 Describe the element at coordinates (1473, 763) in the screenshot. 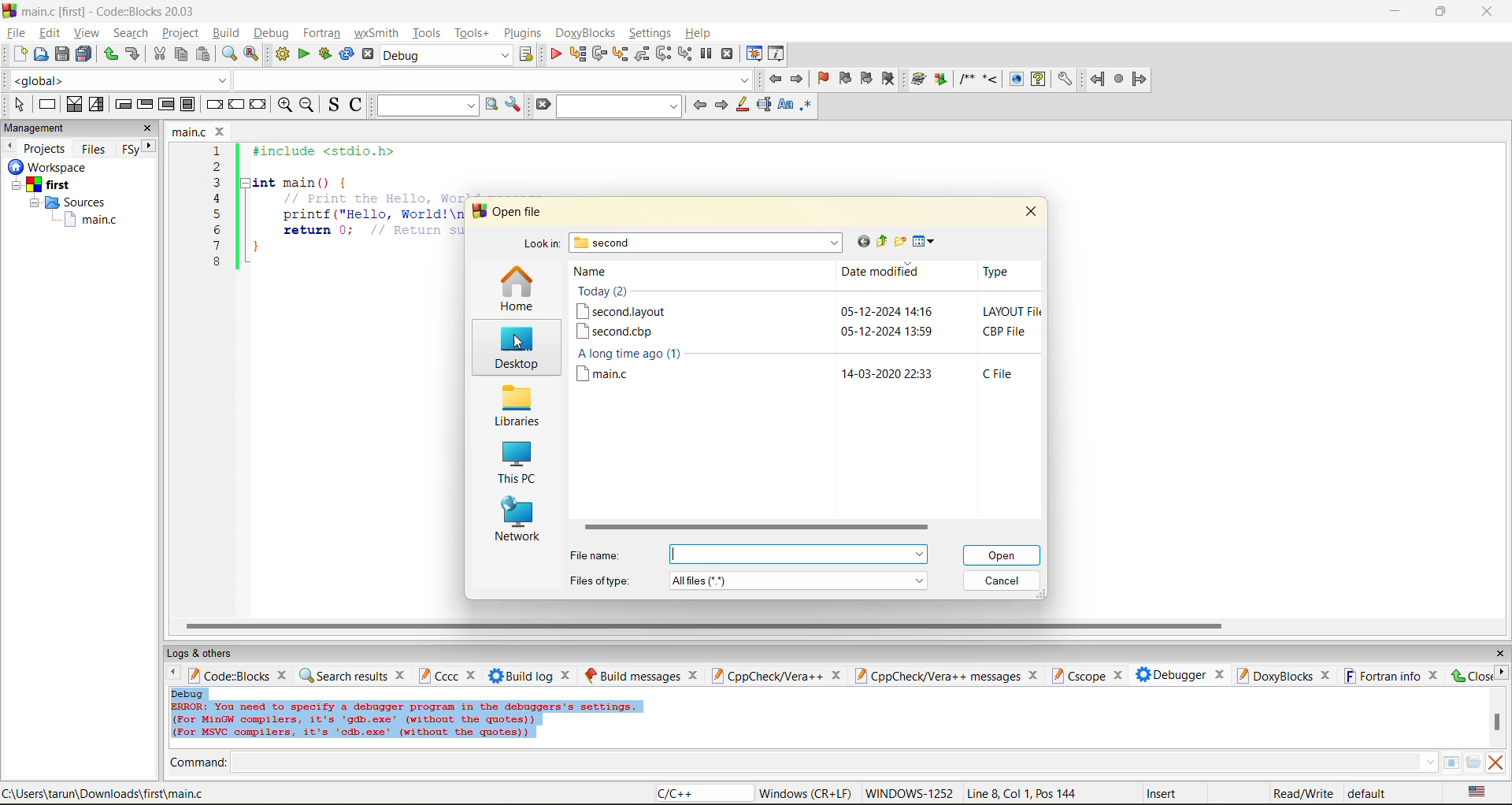

I see `open/browse` at that location.